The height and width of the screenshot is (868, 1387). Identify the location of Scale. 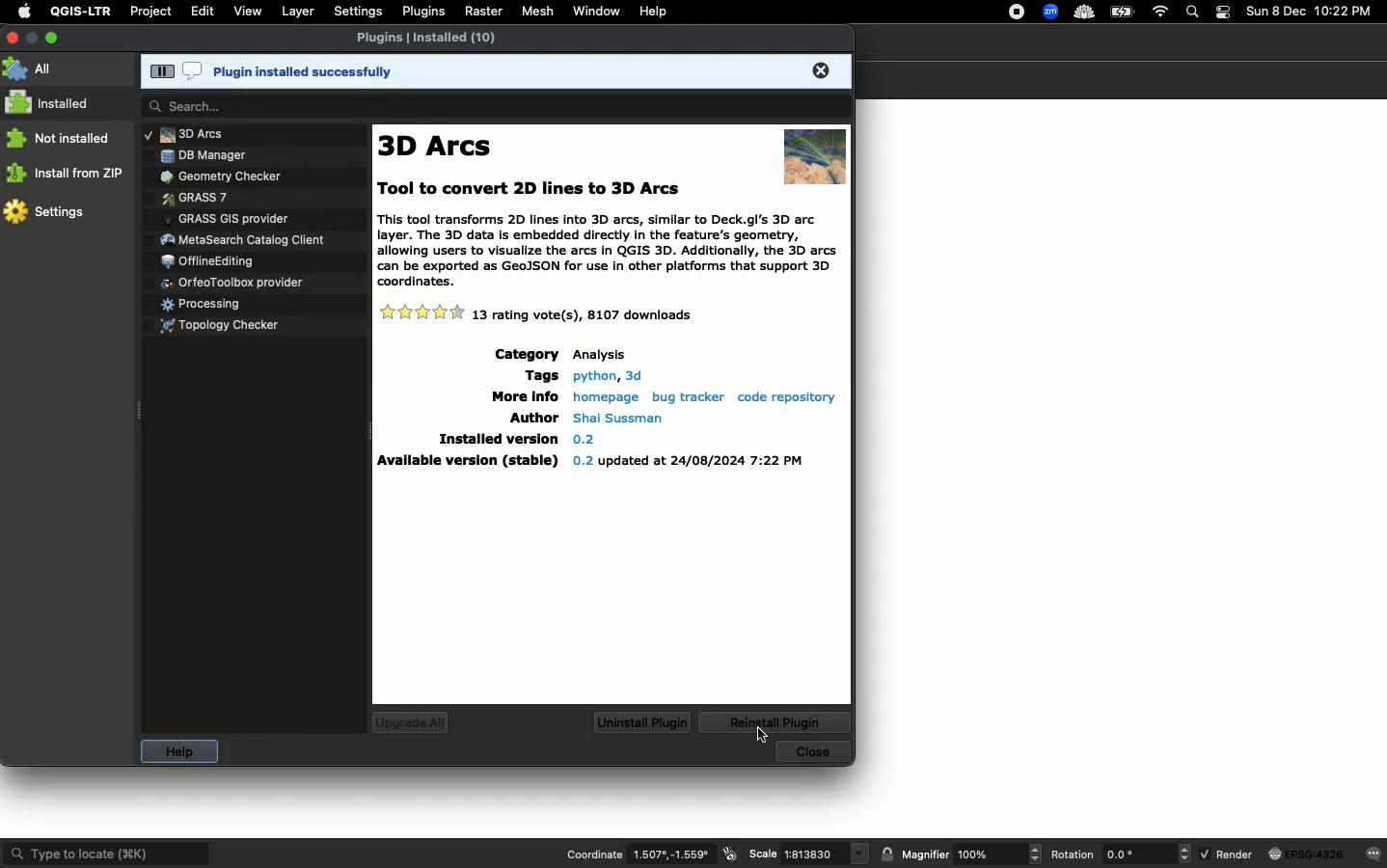
(763, 853).